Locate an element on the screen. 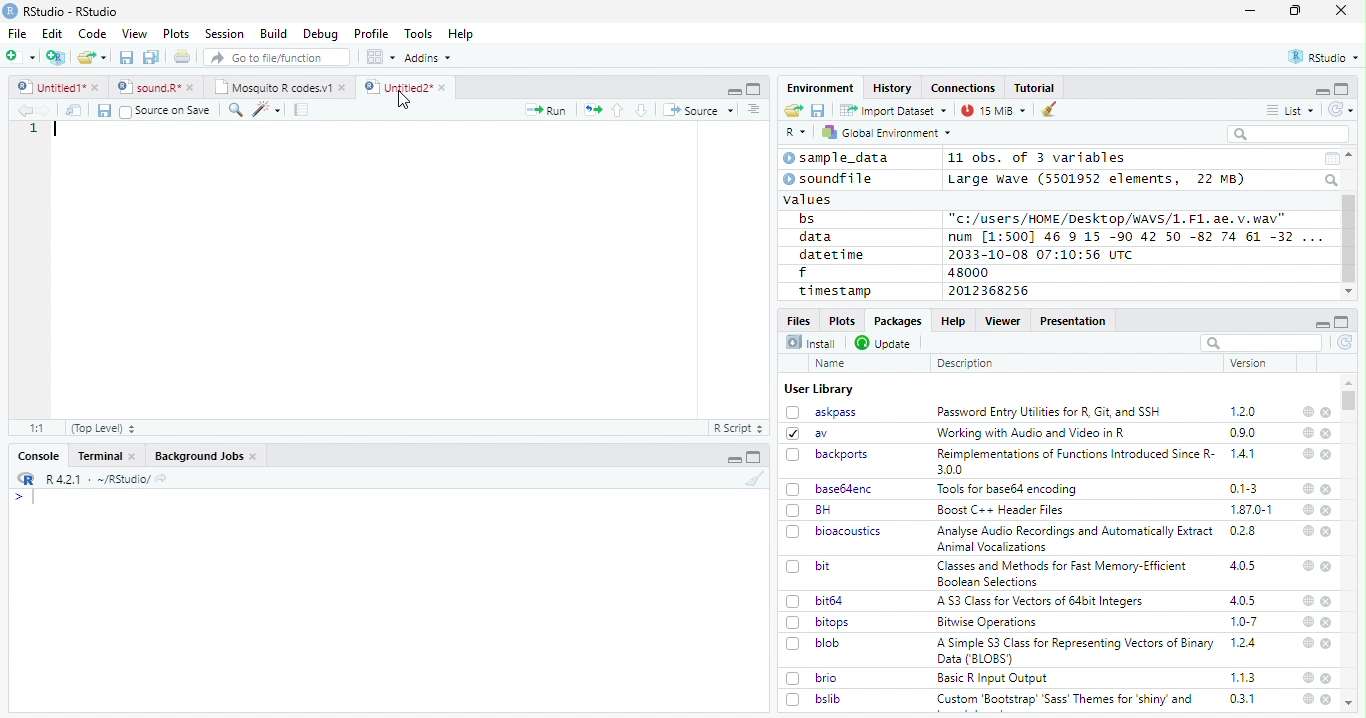 The image size is (1366, 718). Basic R Input Output is located at coordinates (995, 678).